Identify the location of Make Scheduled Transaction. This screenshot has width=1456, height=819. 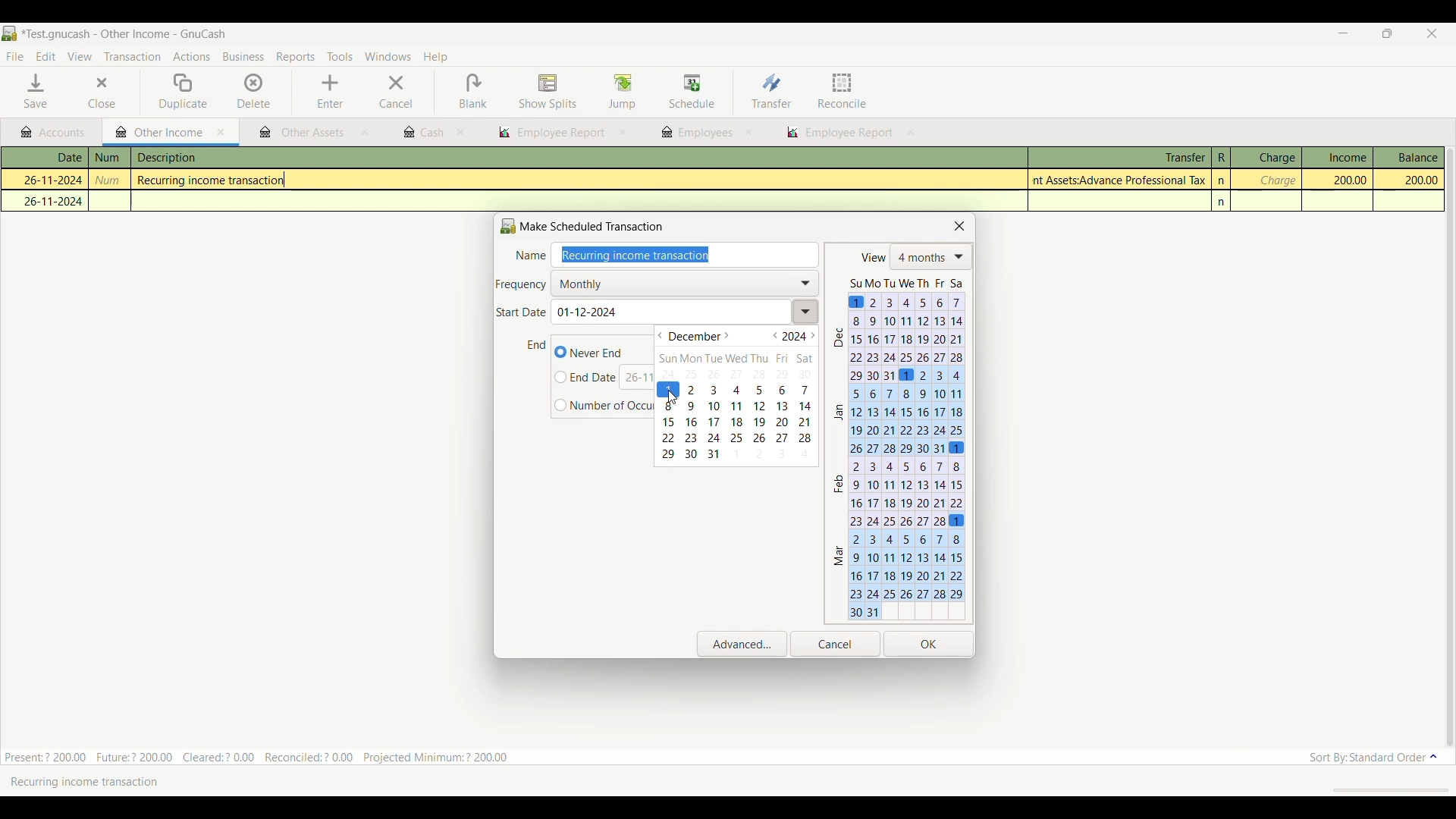
(586, 226).